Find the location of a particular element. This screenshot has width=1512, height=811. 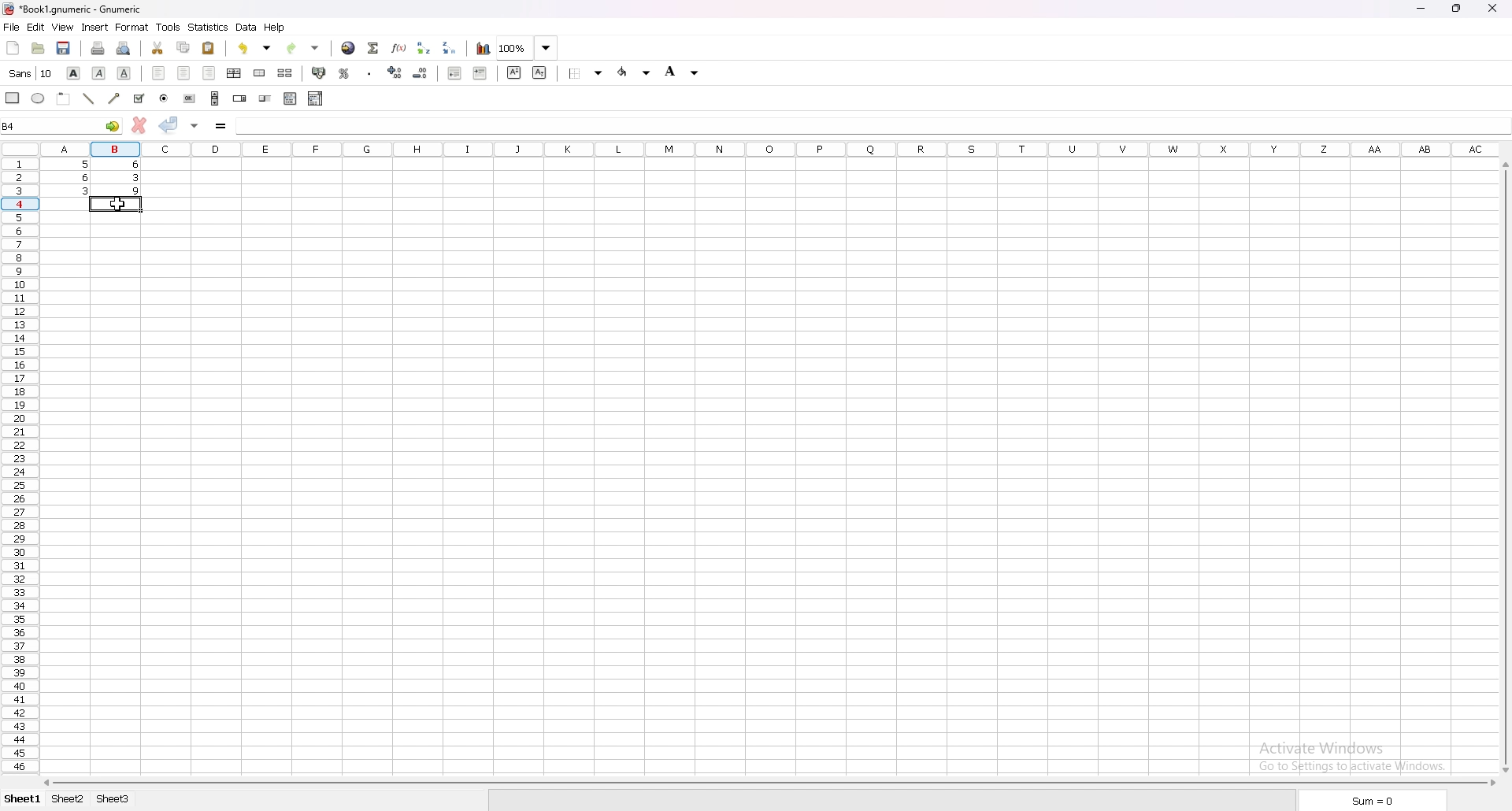

file is located at coordinates (12, 27).